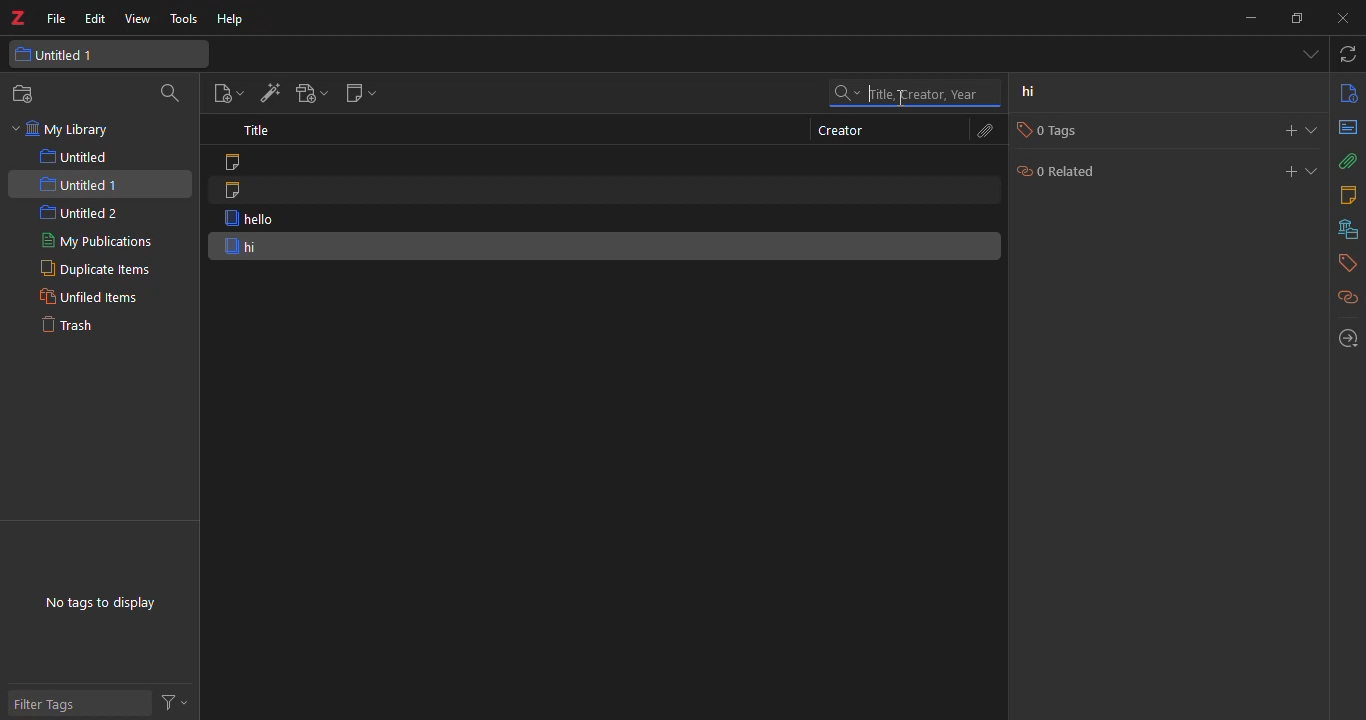 The height and width of the screenshot is (720, 1366). Describe the element at coordinates (82, 212) in the screenshot. I see `untitled 2` at that location.